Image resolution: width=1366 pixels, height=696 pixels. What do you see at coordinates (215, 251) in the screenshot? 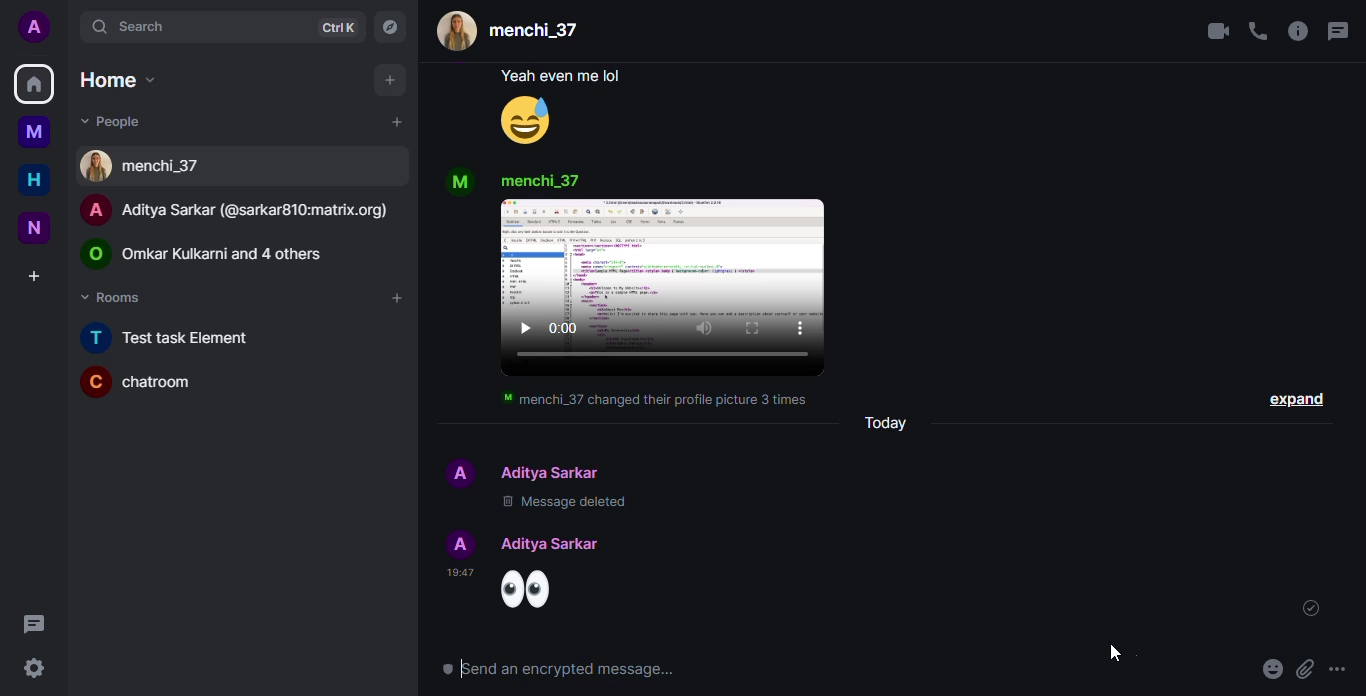
I see `people` at bounding box center [215, 251].